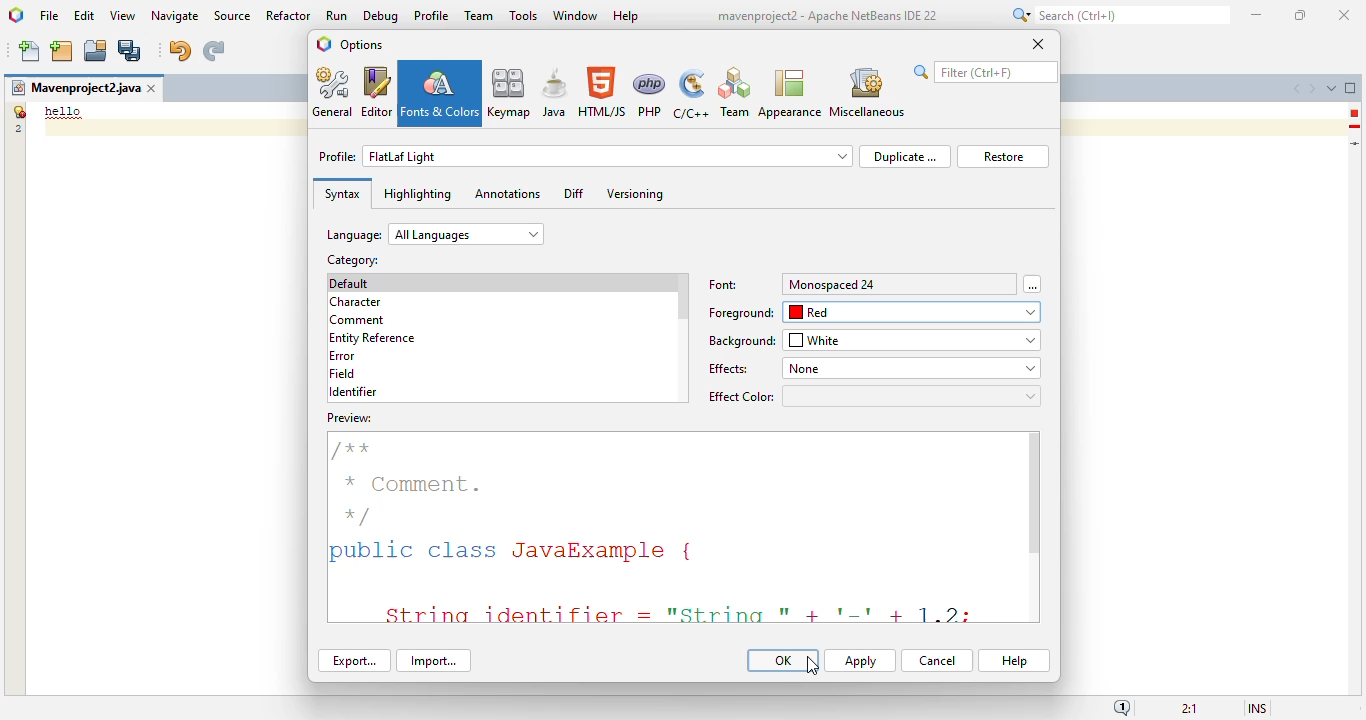 The image size is (1366, 720). I want to click on export, so click(355, 660).